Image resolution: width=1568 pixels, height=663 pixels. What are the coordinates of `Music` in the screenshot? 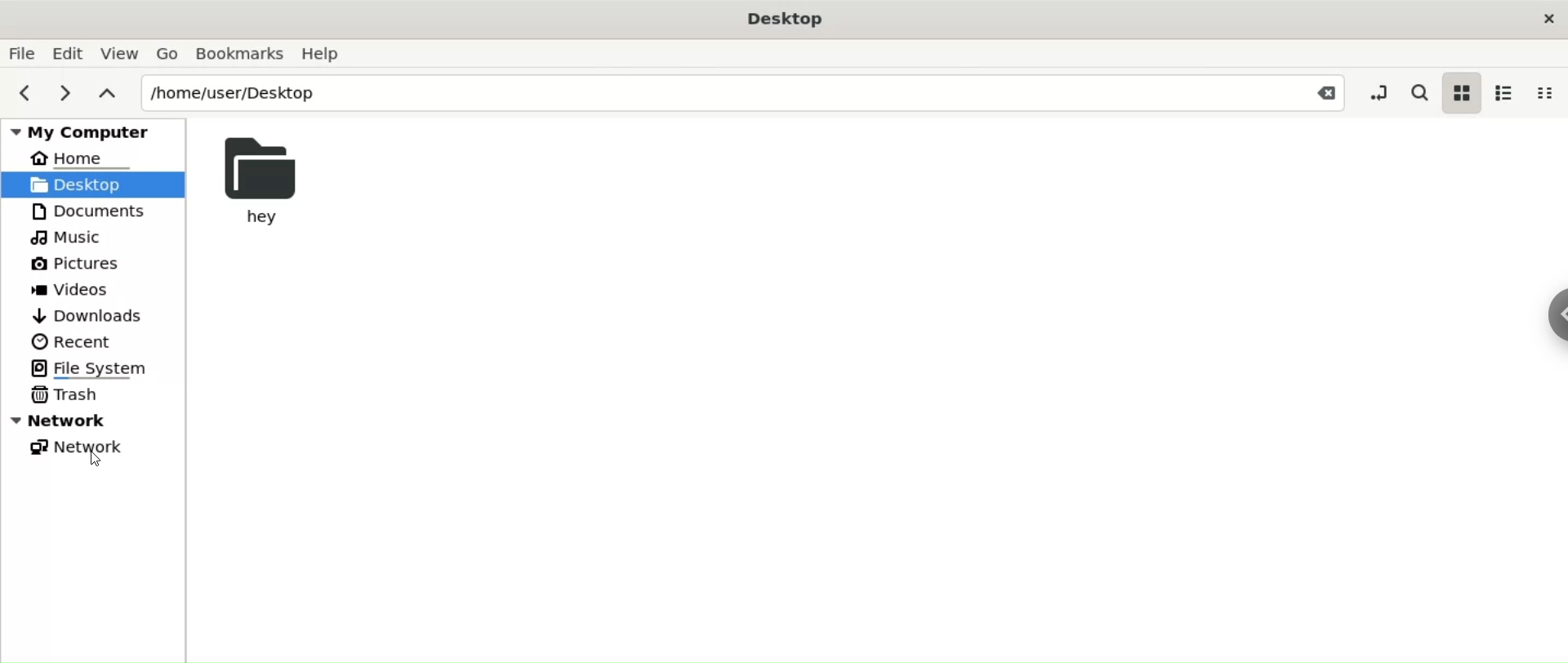 It's located at (74, 238).